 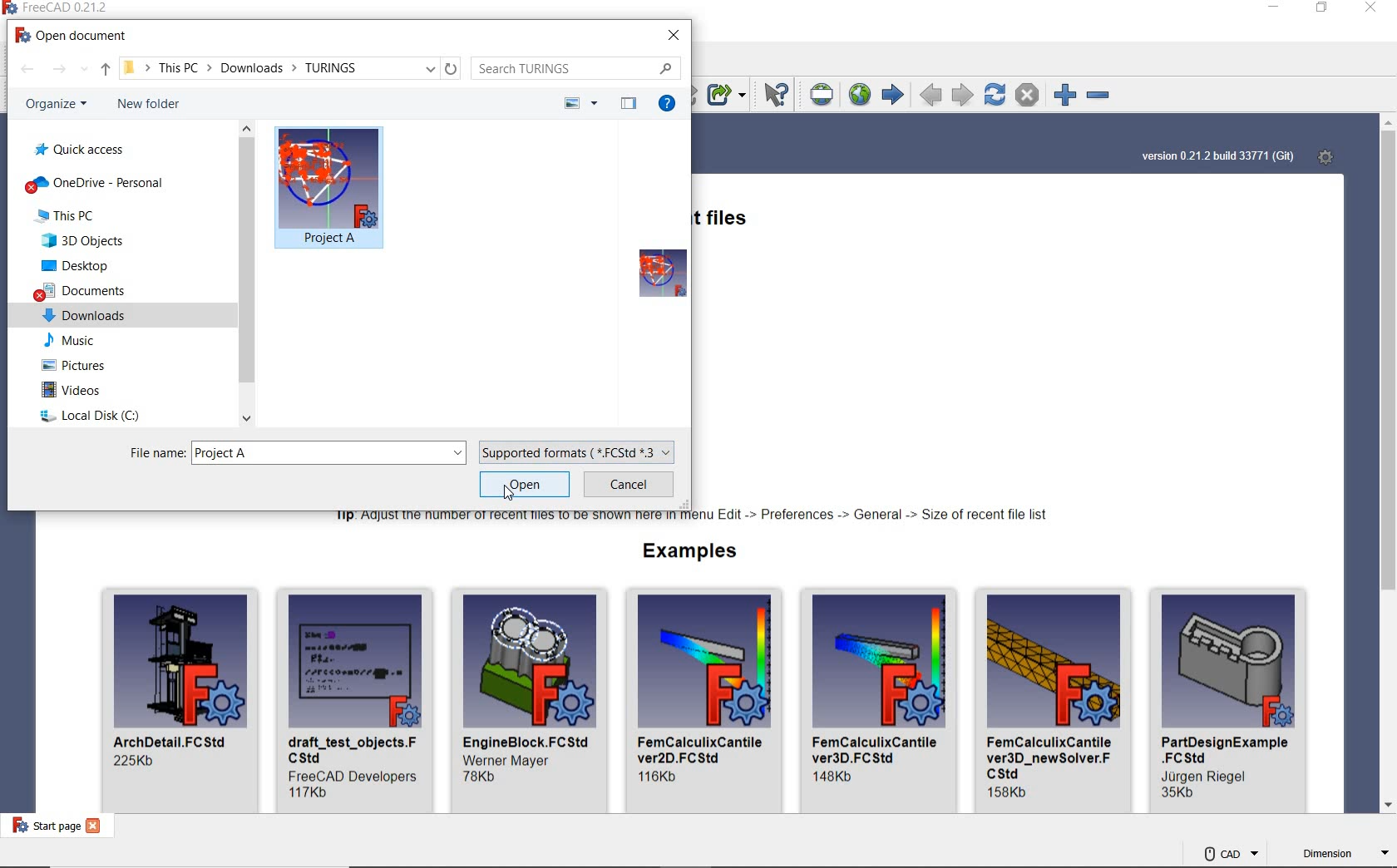 What do you see at coordinates (158, 452) in the screenshot?
I see `File name:` at bounding box center [158, 452].